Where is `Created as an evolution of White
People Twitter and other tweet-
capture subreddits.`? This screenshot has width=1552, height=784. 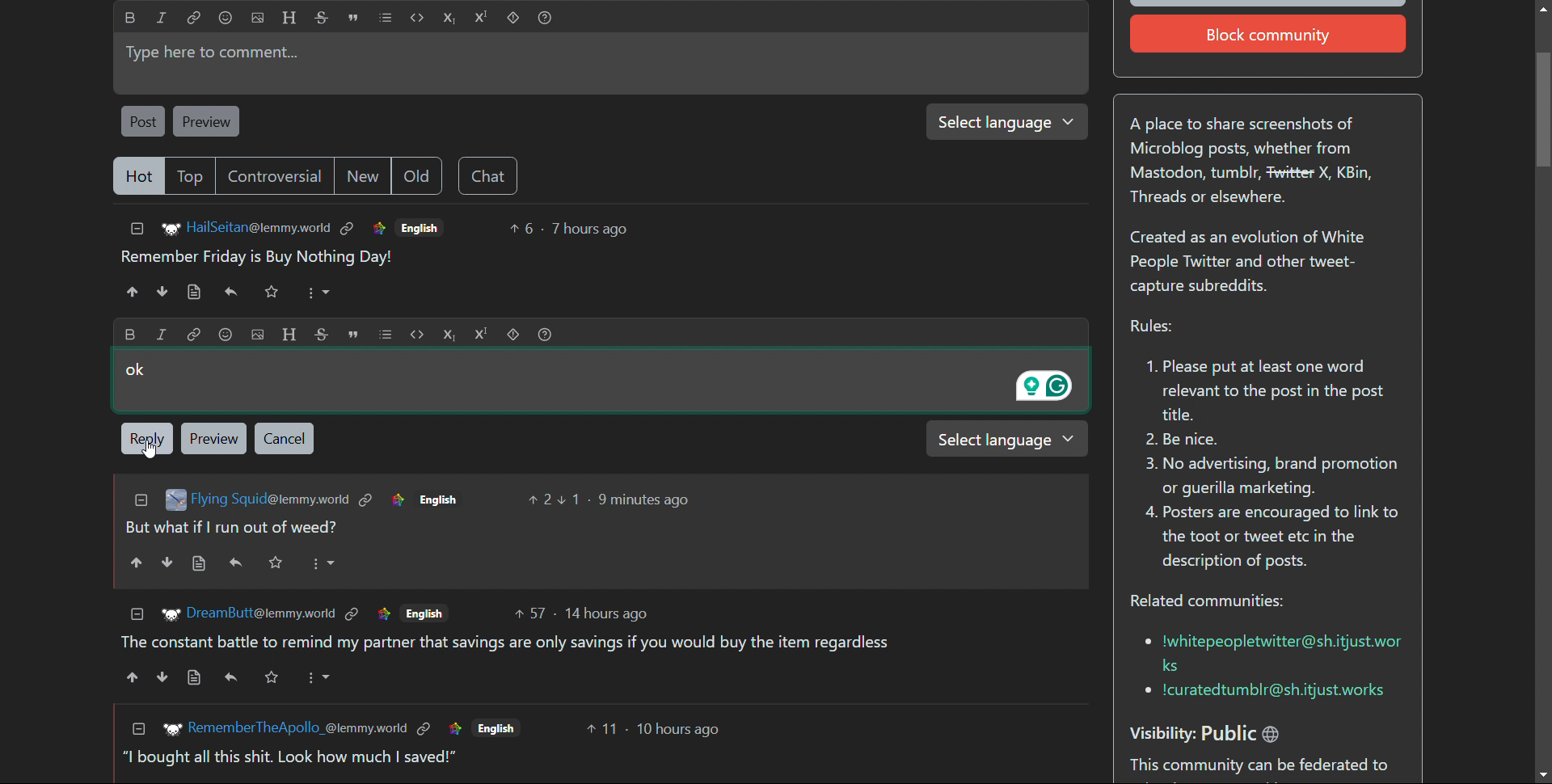 Created as an evolution of White
People Twitter and other tweet-
capture subreddits. is located at coordinates (1256, 263).